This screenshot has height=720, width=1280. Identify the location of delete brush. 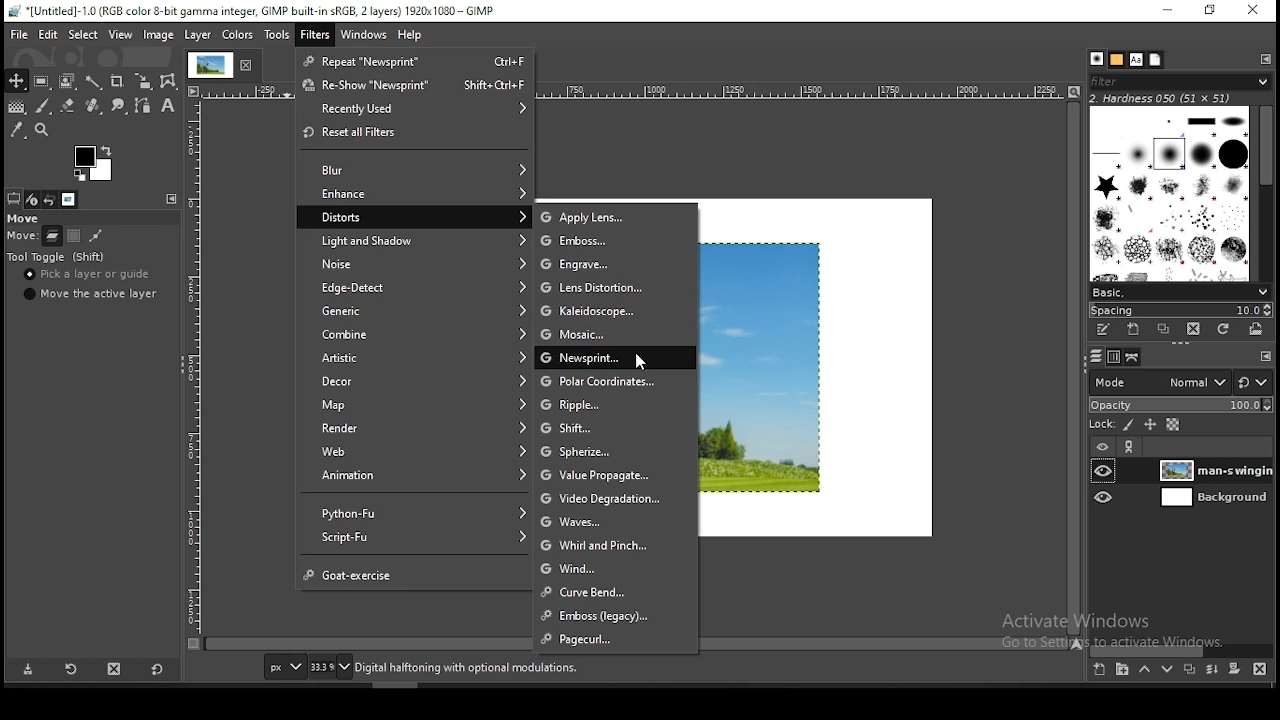
(1193, 329).